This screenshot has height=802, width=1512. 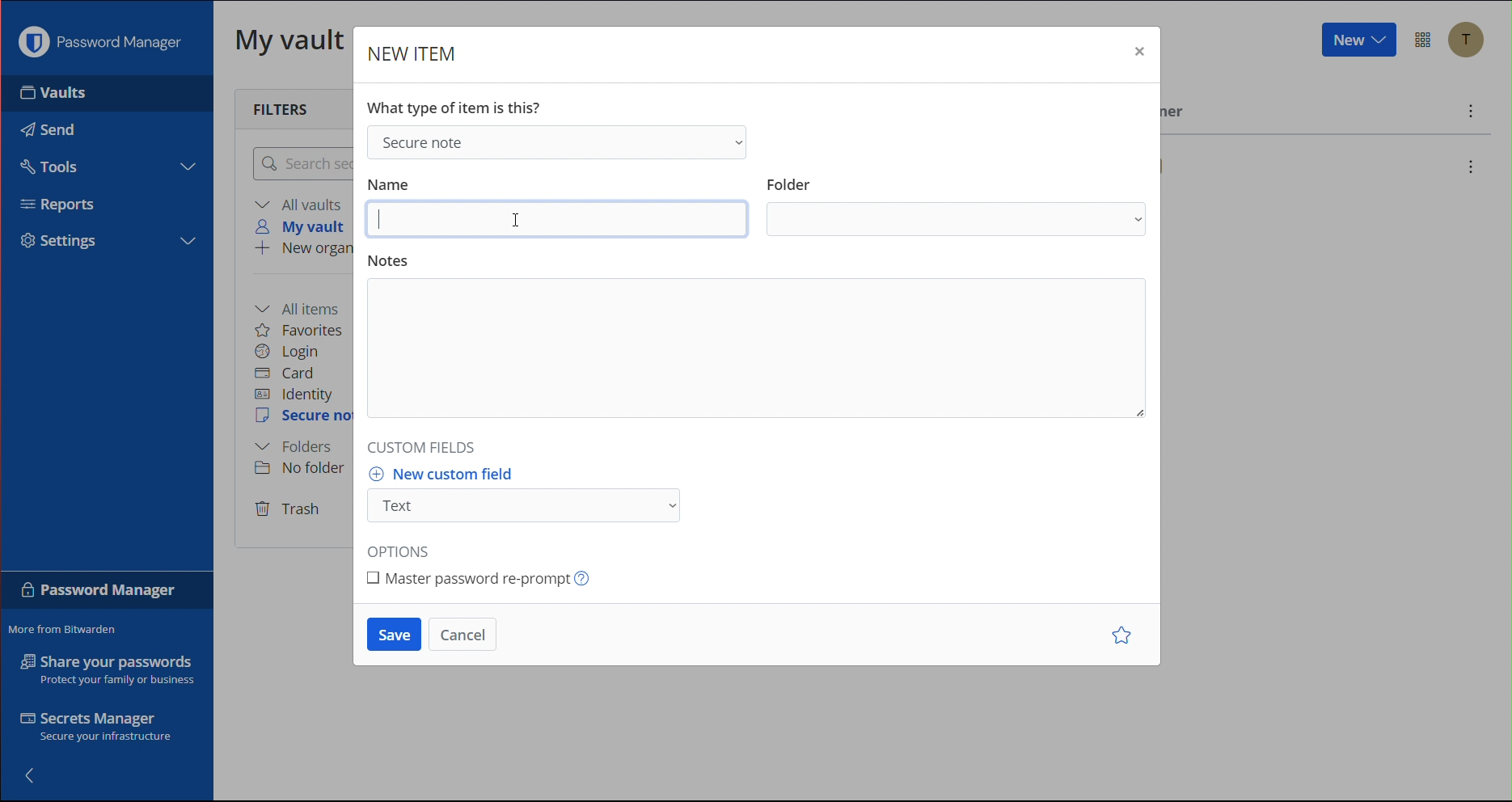 What do you see at coordinates (285, 374) in the screenshot?
I see `Card` at bounding box center [285, 374].